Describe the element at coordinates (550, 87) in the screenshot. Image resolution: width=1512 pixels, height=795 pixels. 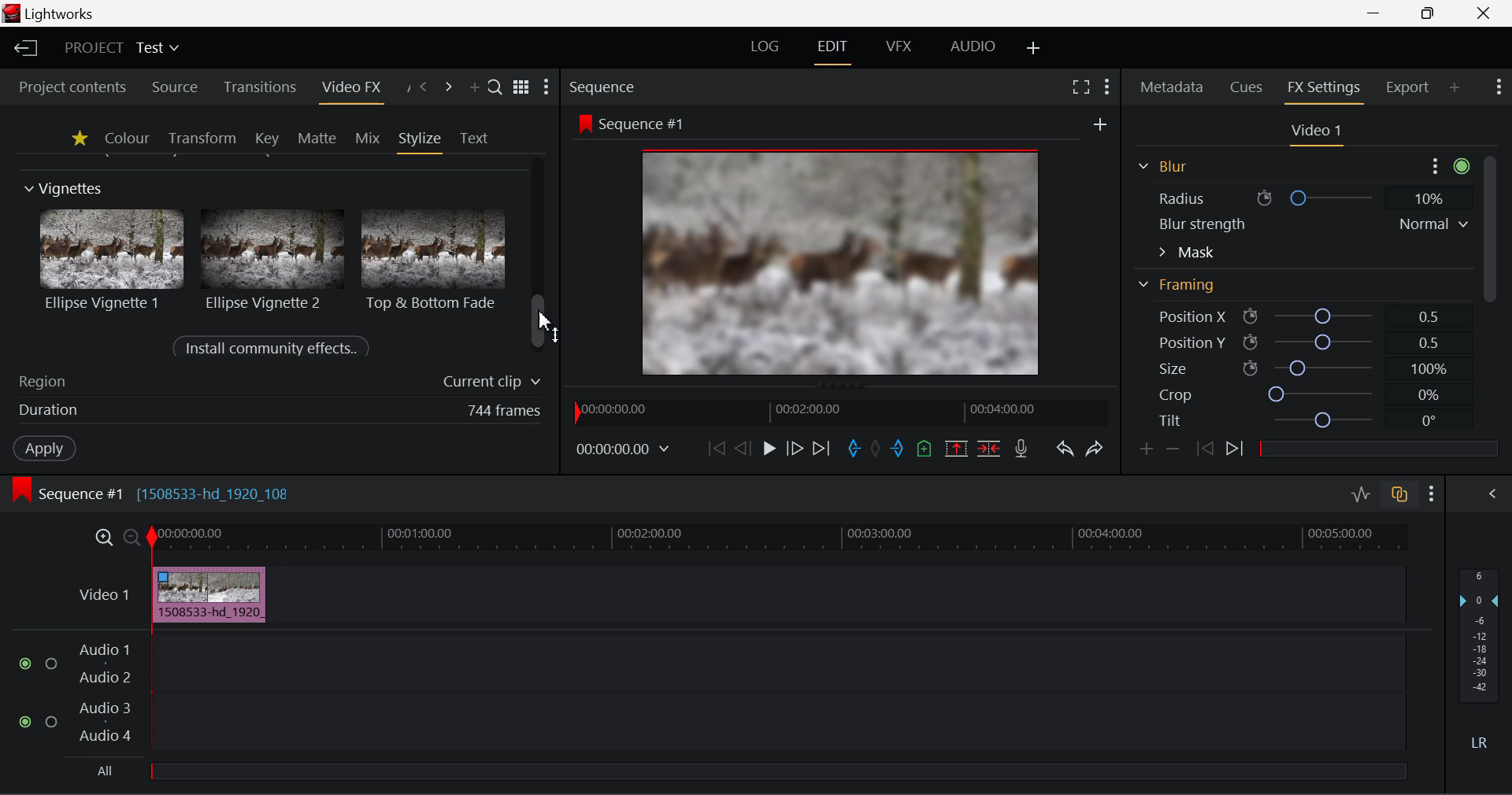
I see `Show Settings` at that location.